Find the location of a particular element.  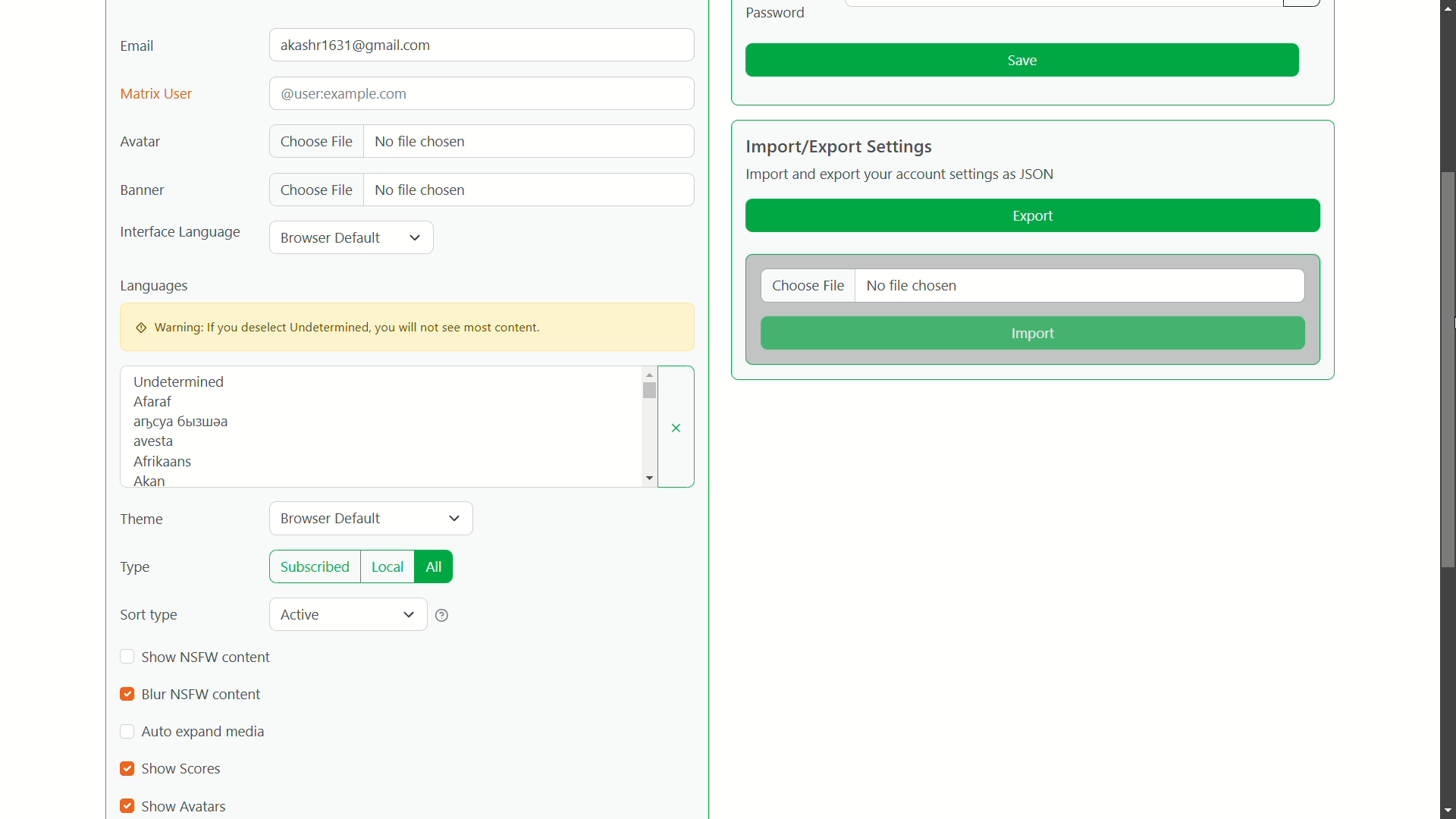

browser default is located at coordinates (333, 518).